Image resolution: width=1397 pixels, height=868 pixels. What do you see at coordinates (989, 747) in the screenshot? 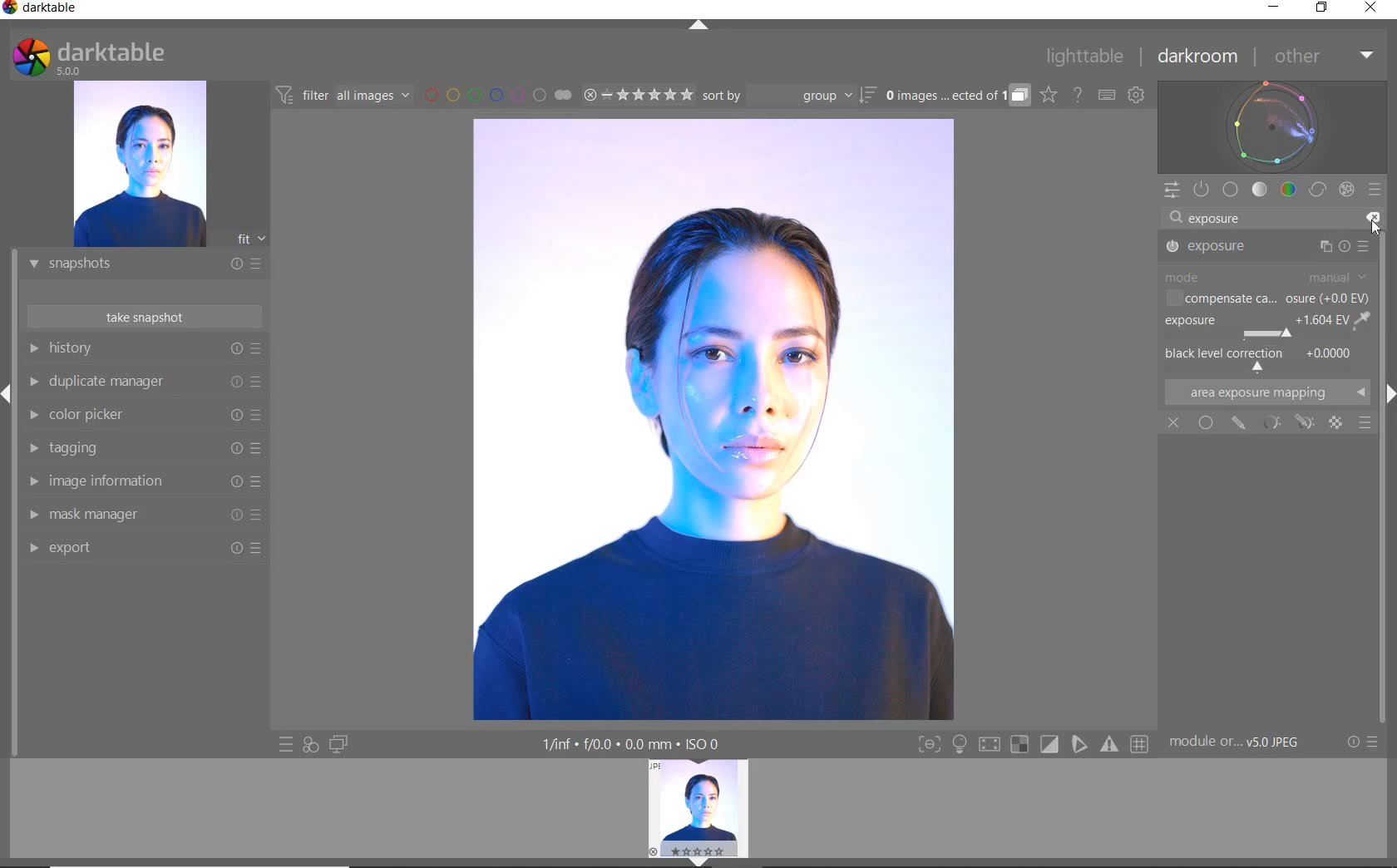
I see `Button` at bounding box center [989, 747].